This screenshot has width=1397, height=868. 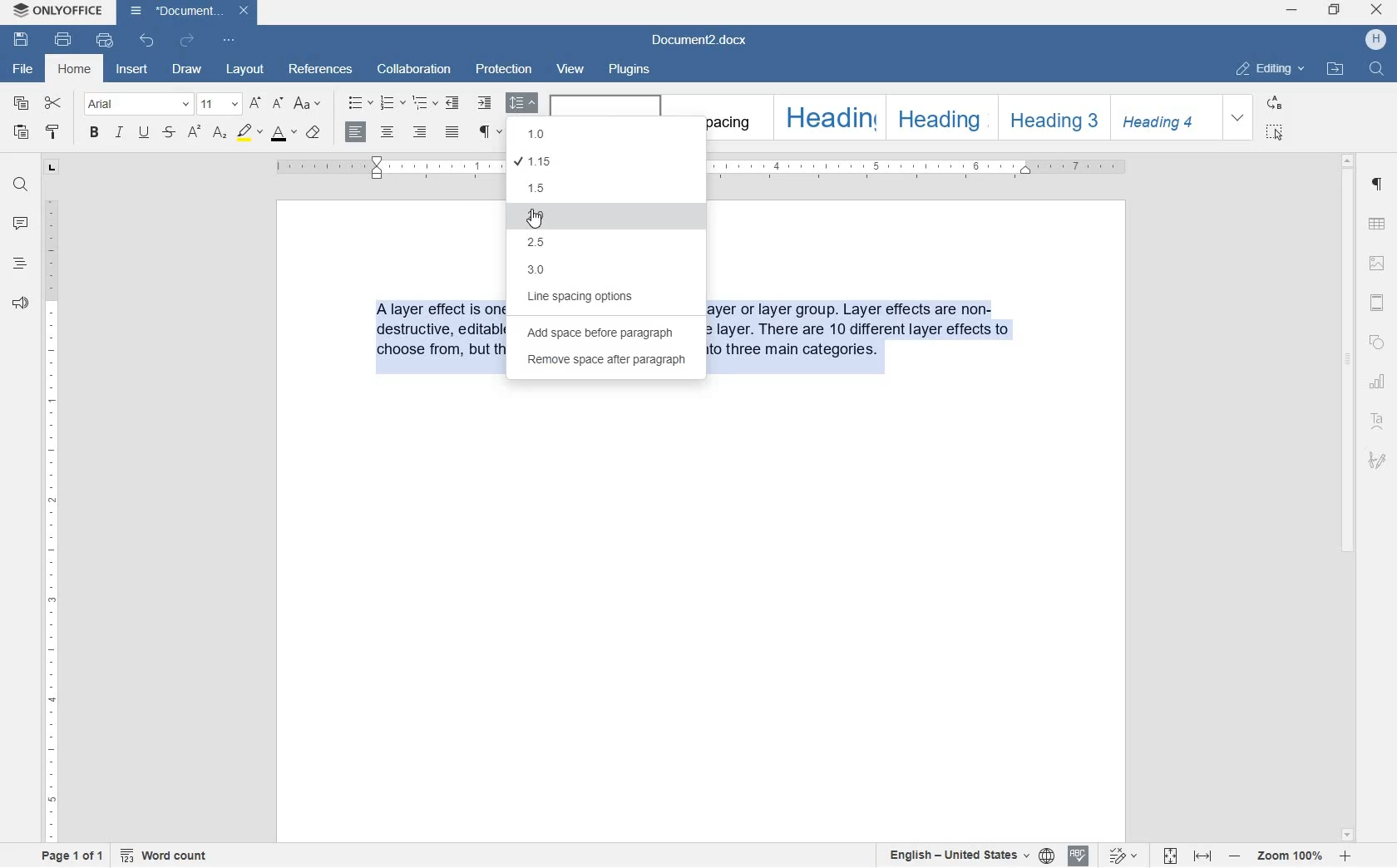 What do you see at coordinates (104, 43) in the screenshot?
I see `quick print` at bounding box center [104, 43].